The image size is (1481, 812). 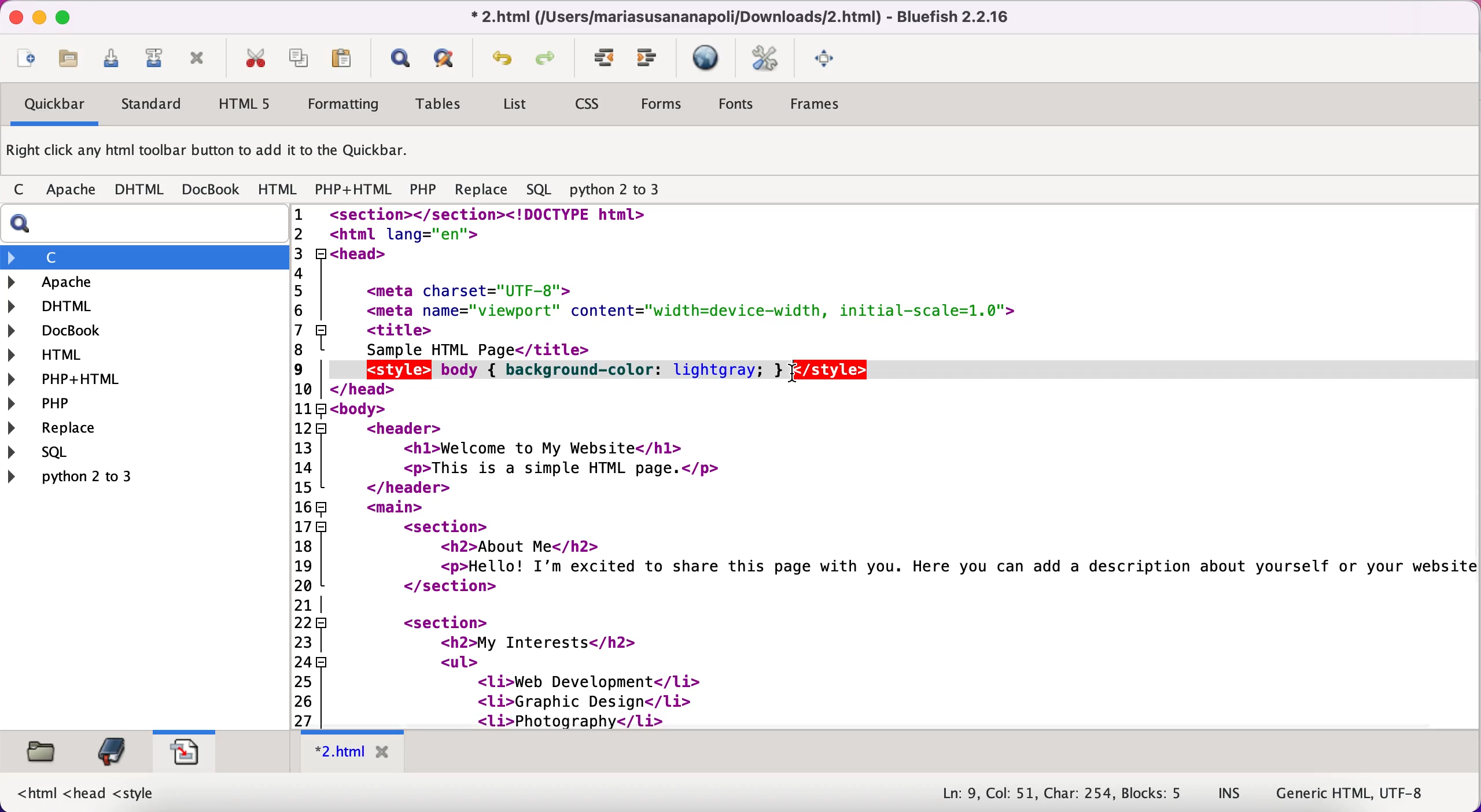 I want to click on formatting, so click(x=344, y=106).